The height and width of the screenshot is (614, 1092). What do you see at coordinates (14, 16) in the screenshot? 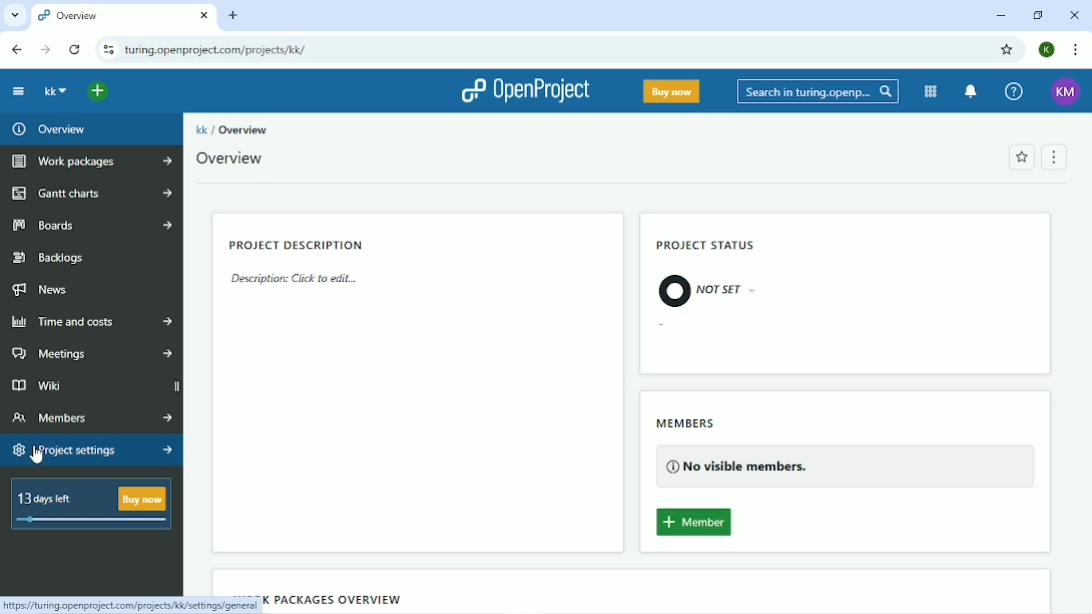
I see `Search tabs` at bounding box center [14, 16].